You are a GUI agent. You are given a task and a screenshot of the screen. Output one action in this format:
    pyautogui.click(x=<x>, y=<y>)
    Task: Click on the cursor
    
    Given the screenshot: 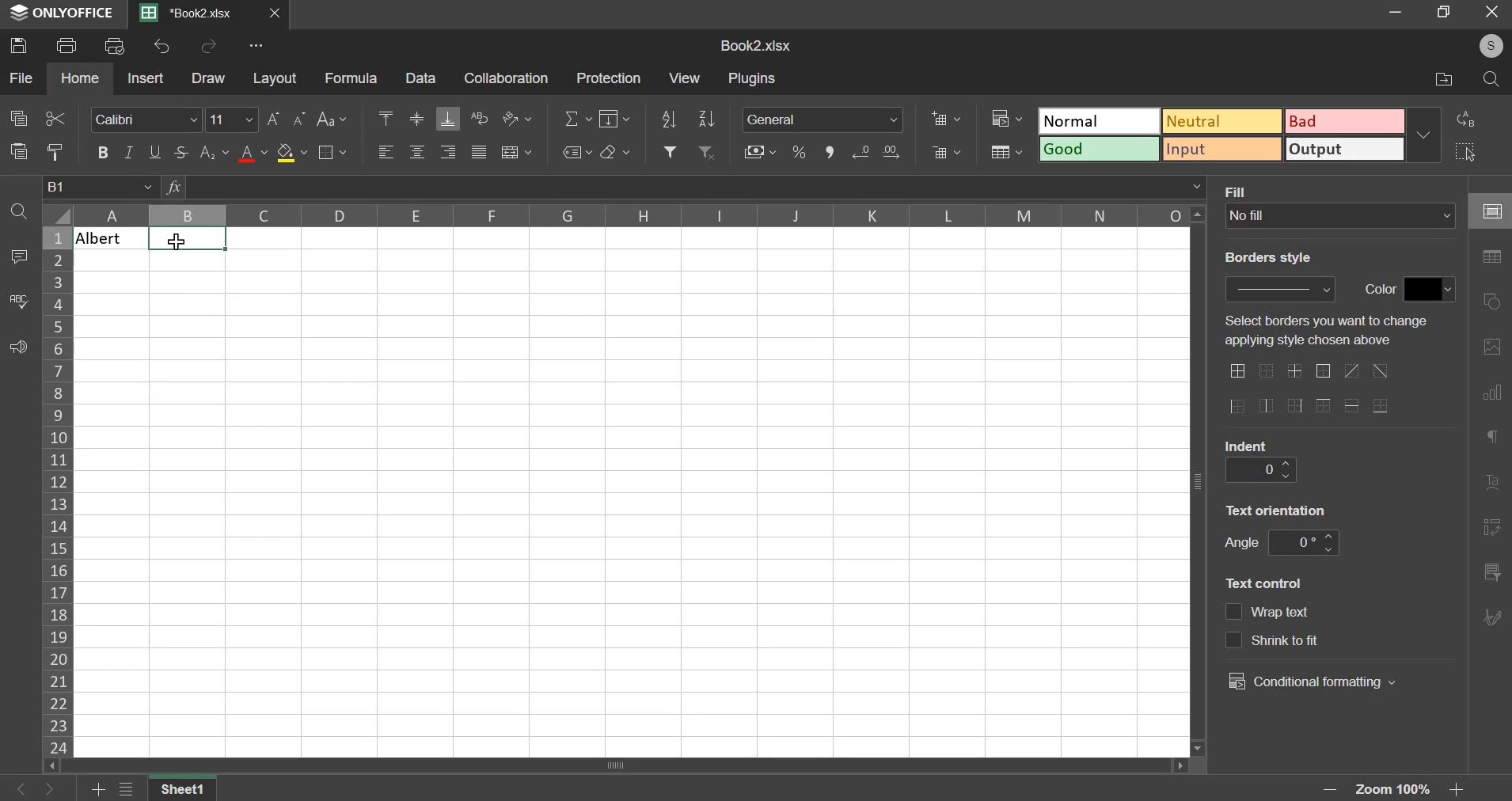 What is the action you would take?
    pyautogui.click(x=180, y=241)
    